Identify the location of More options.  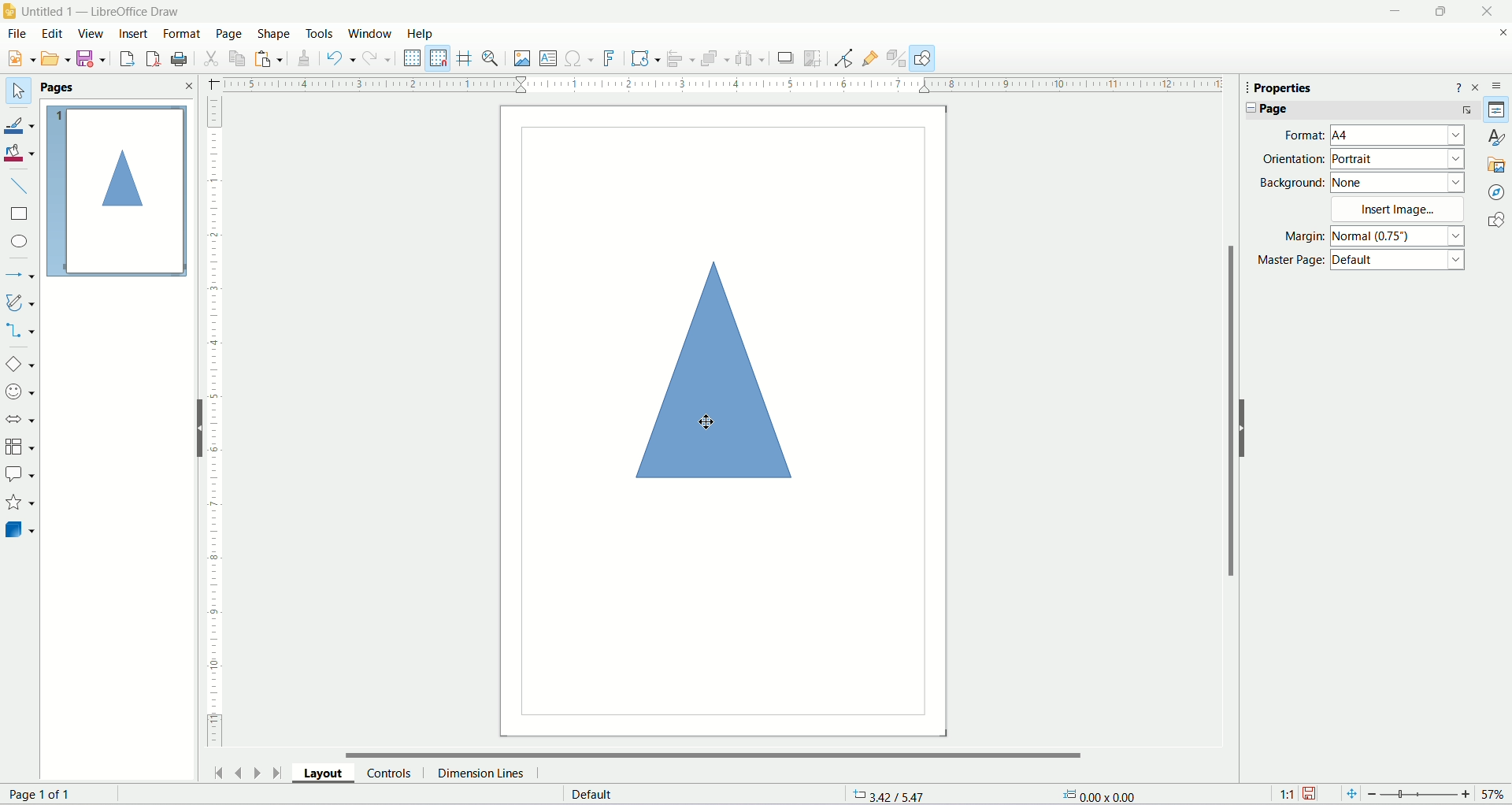
(1467, 110).